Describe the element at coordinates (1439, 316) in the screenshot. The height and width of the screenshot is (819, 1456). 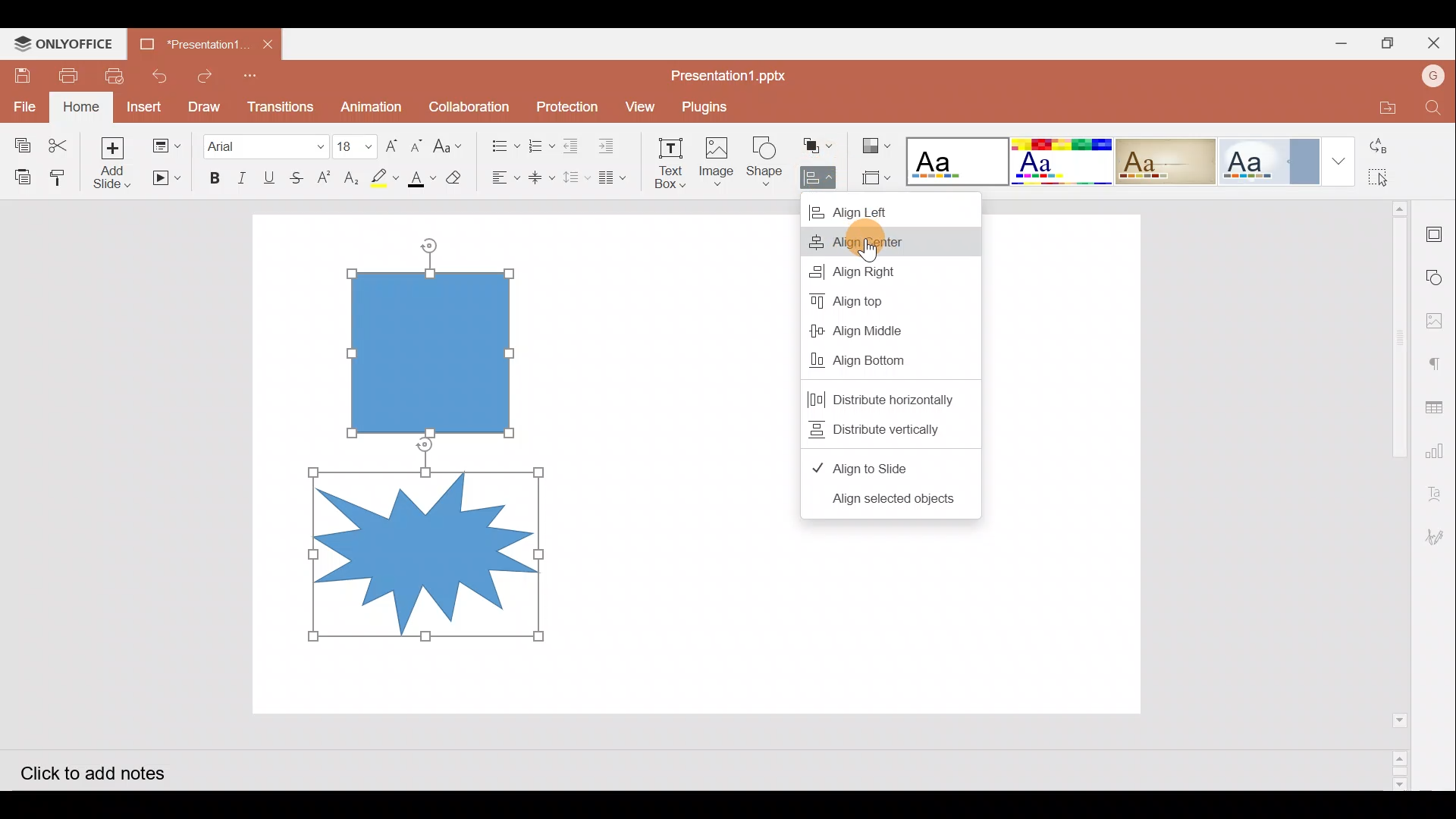
I see `Image settings` at that location.